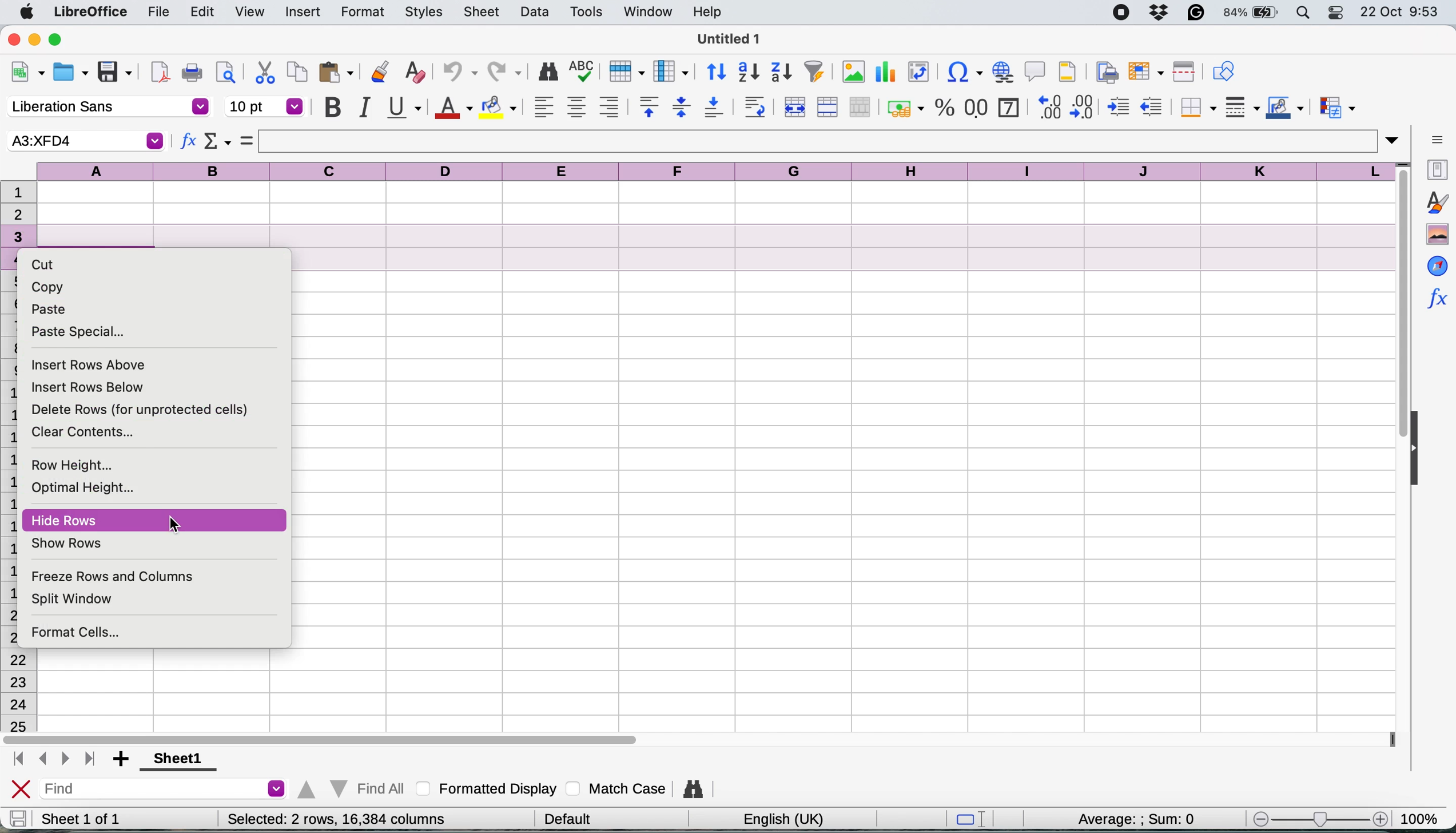  What do you see at coordinates (1420, 450) in the screenshot?
I see `collapse` at bounding box center [1420, 450].